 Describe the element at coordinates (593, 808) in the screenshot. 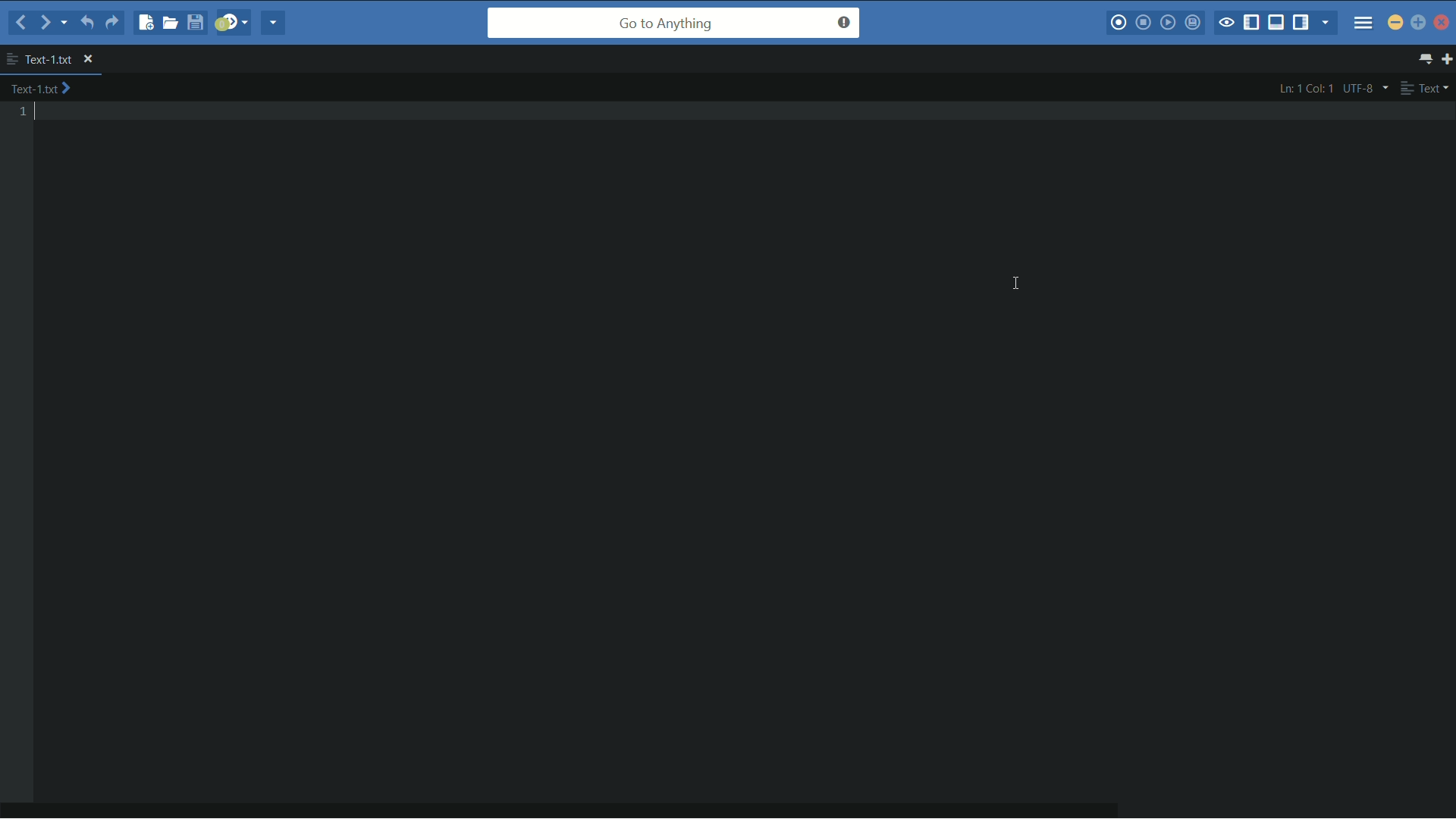

I see `horizontal scroll bar` at that location.